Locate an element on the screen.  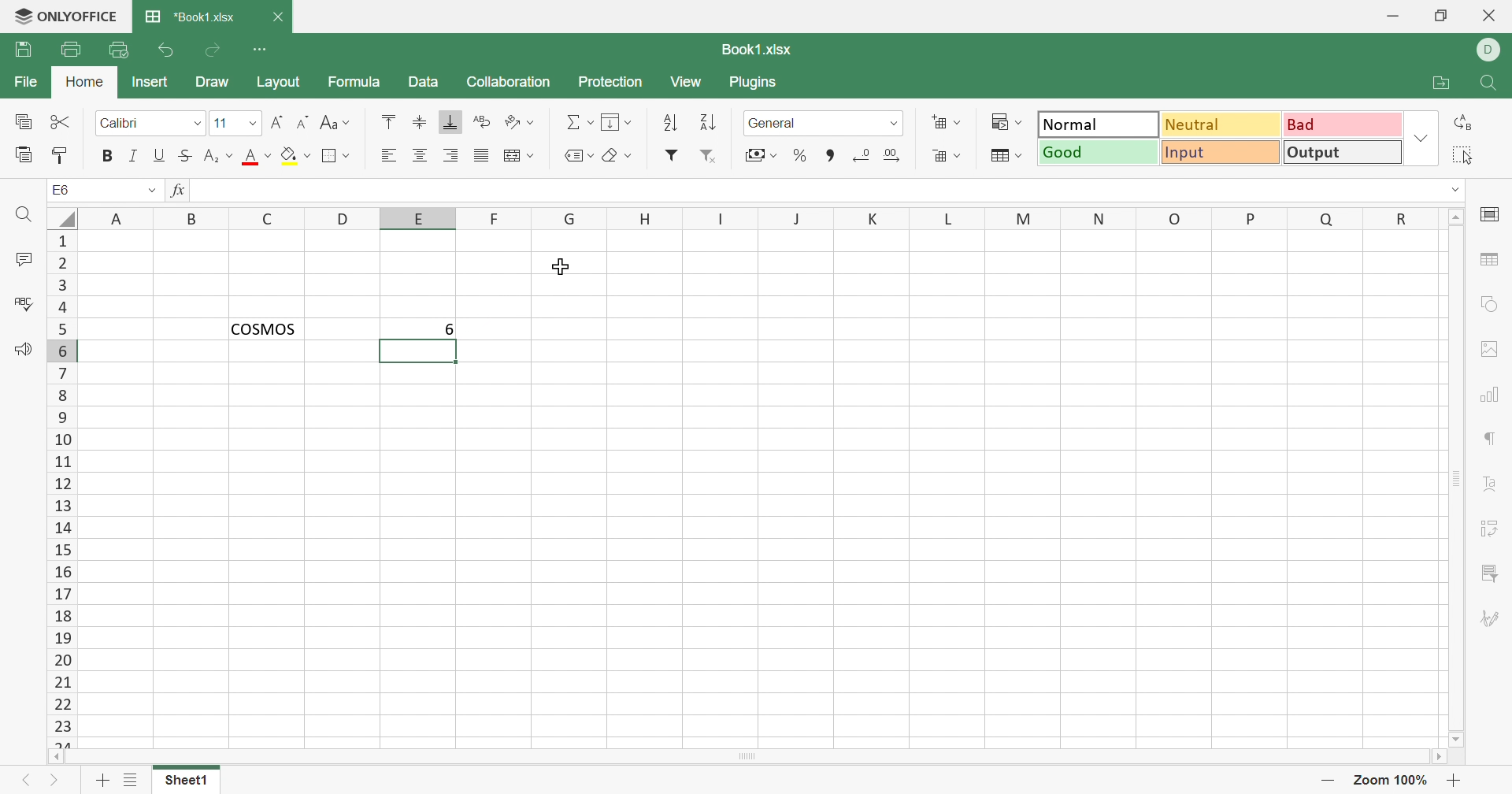
Quick print is located at coordinates (119, 52).